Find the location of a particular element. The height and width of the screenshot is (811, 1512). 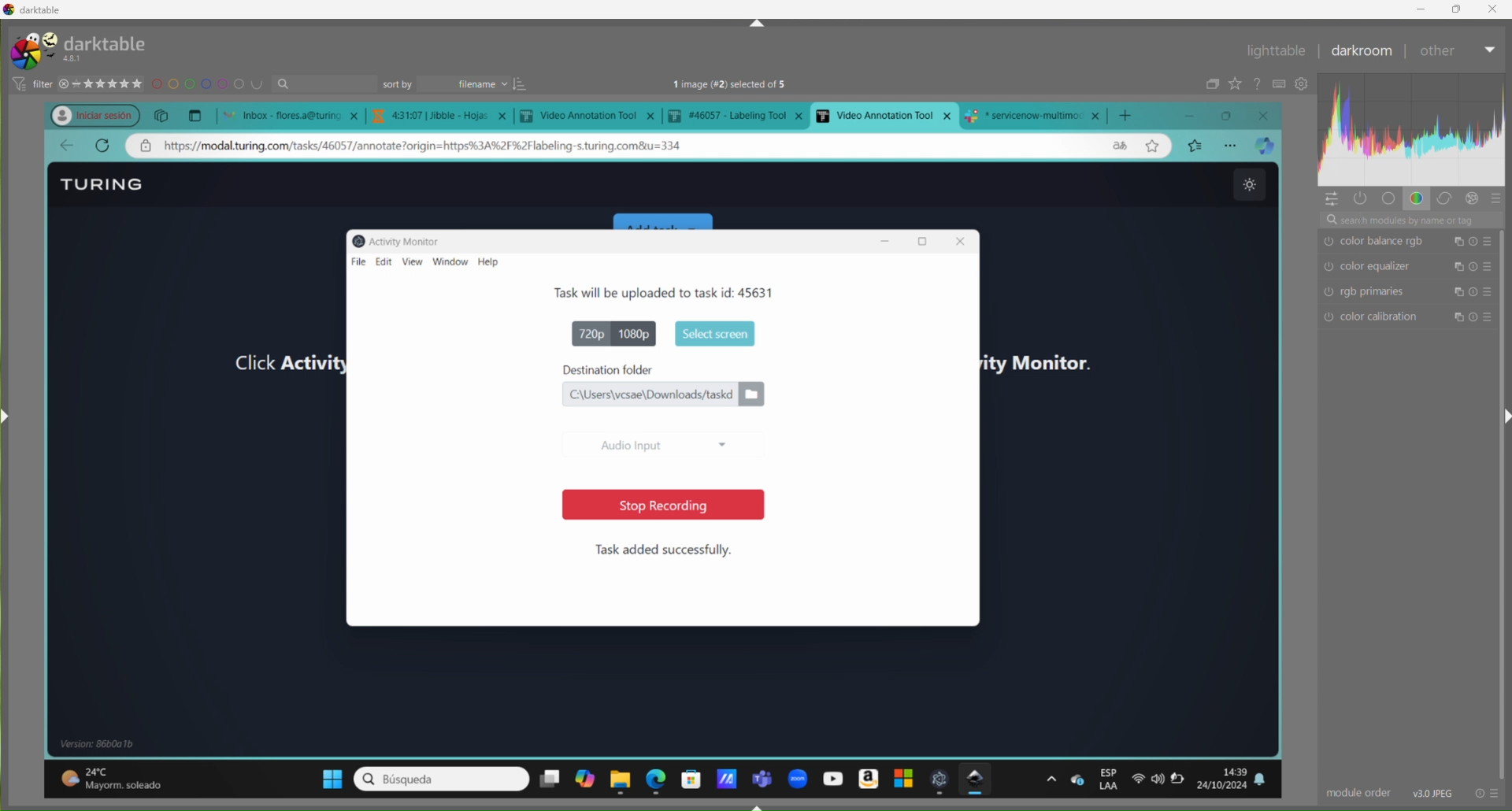

Close is located at coordinates (1492, 9).